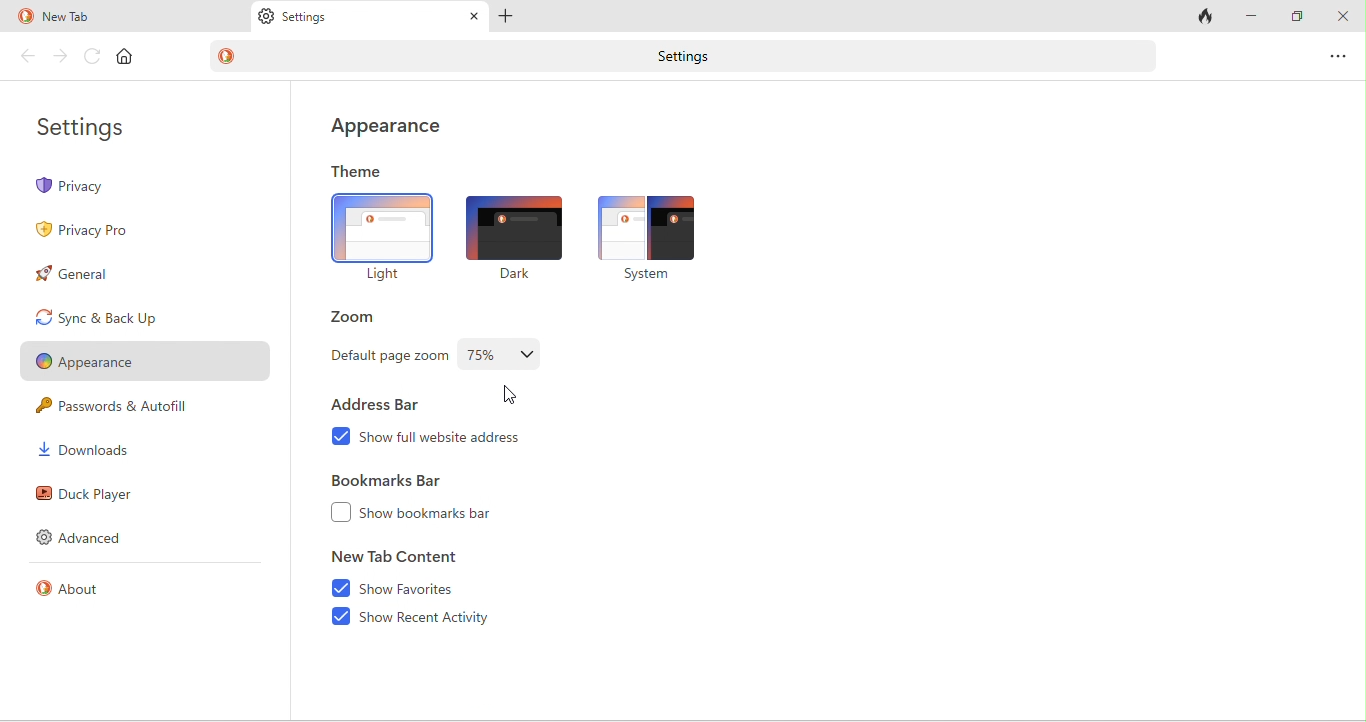  What do you see at coordinates (442, 440) in the screenshot?
I see `show full website address` at bounding box center [442, 440].